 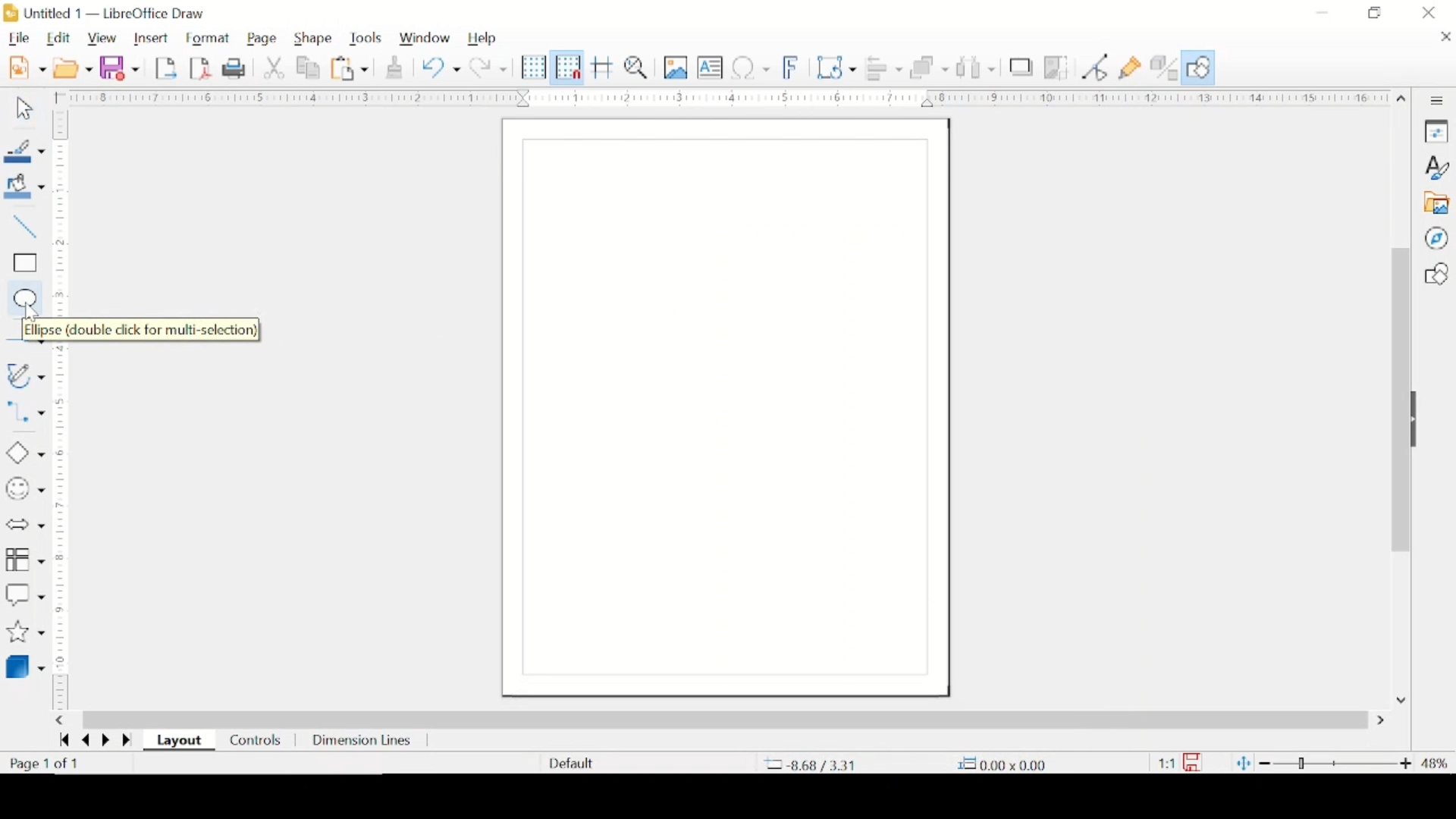 What do you see at coordinates (25, 375) in the screenshot?
I see `curves and polygons` at bounding box center [25, 375].